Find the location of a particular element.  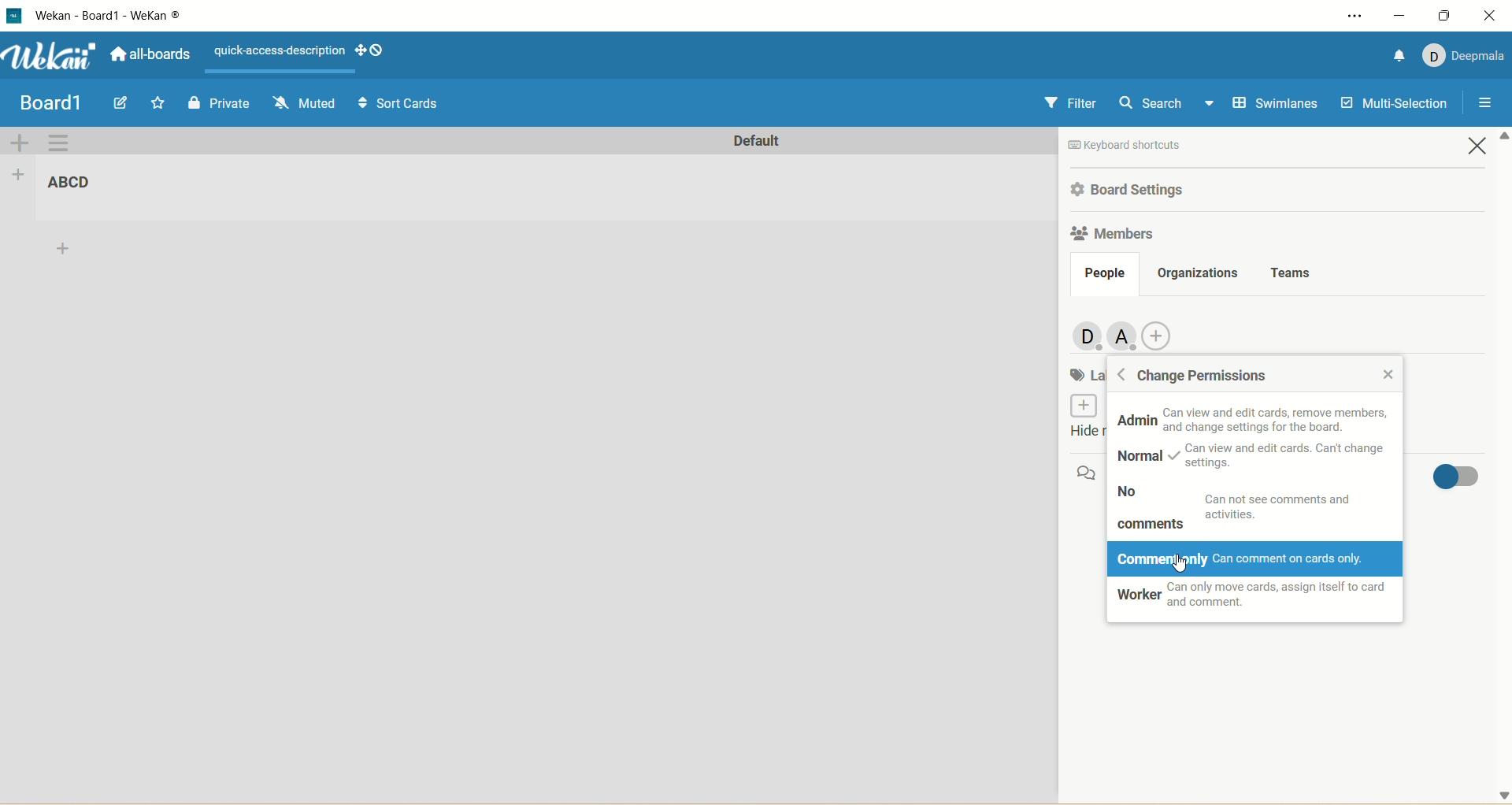

text is located at coordinates (1161, 145).